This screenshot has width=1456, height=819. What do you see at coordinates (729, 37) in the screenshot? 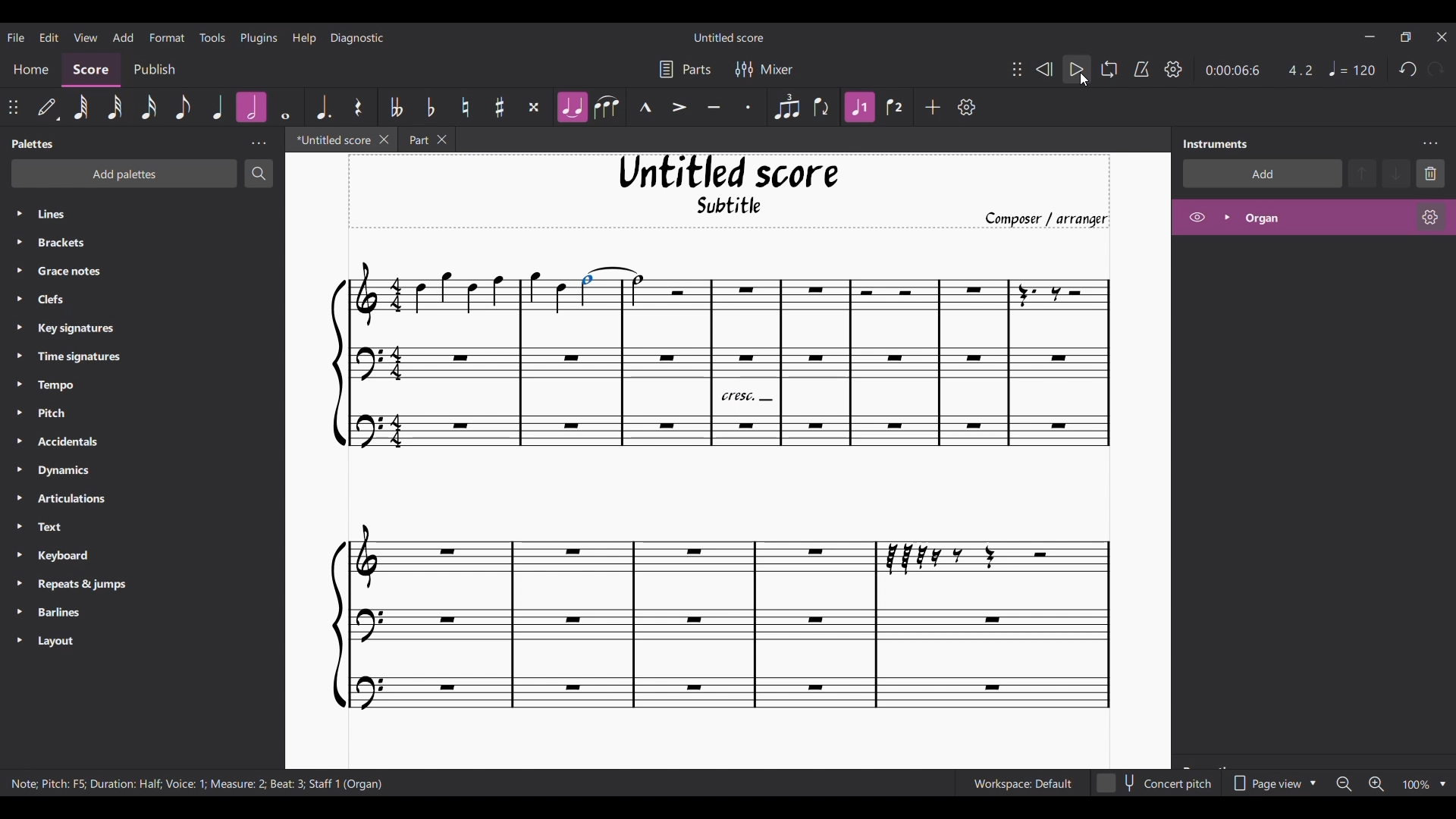
I see `Score title` at bounding box center [729, 37].